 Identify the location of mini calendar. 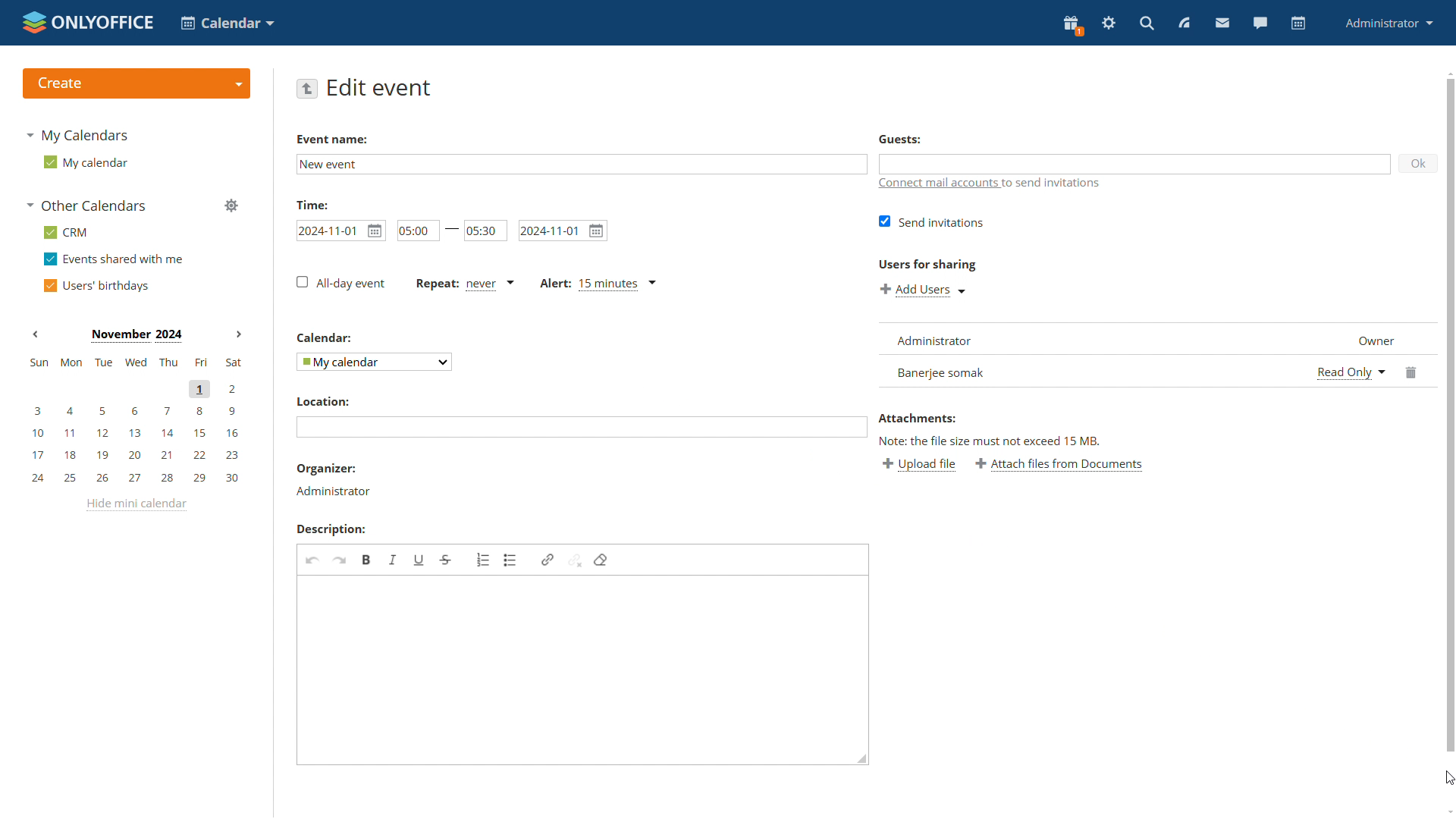
(135, 420).